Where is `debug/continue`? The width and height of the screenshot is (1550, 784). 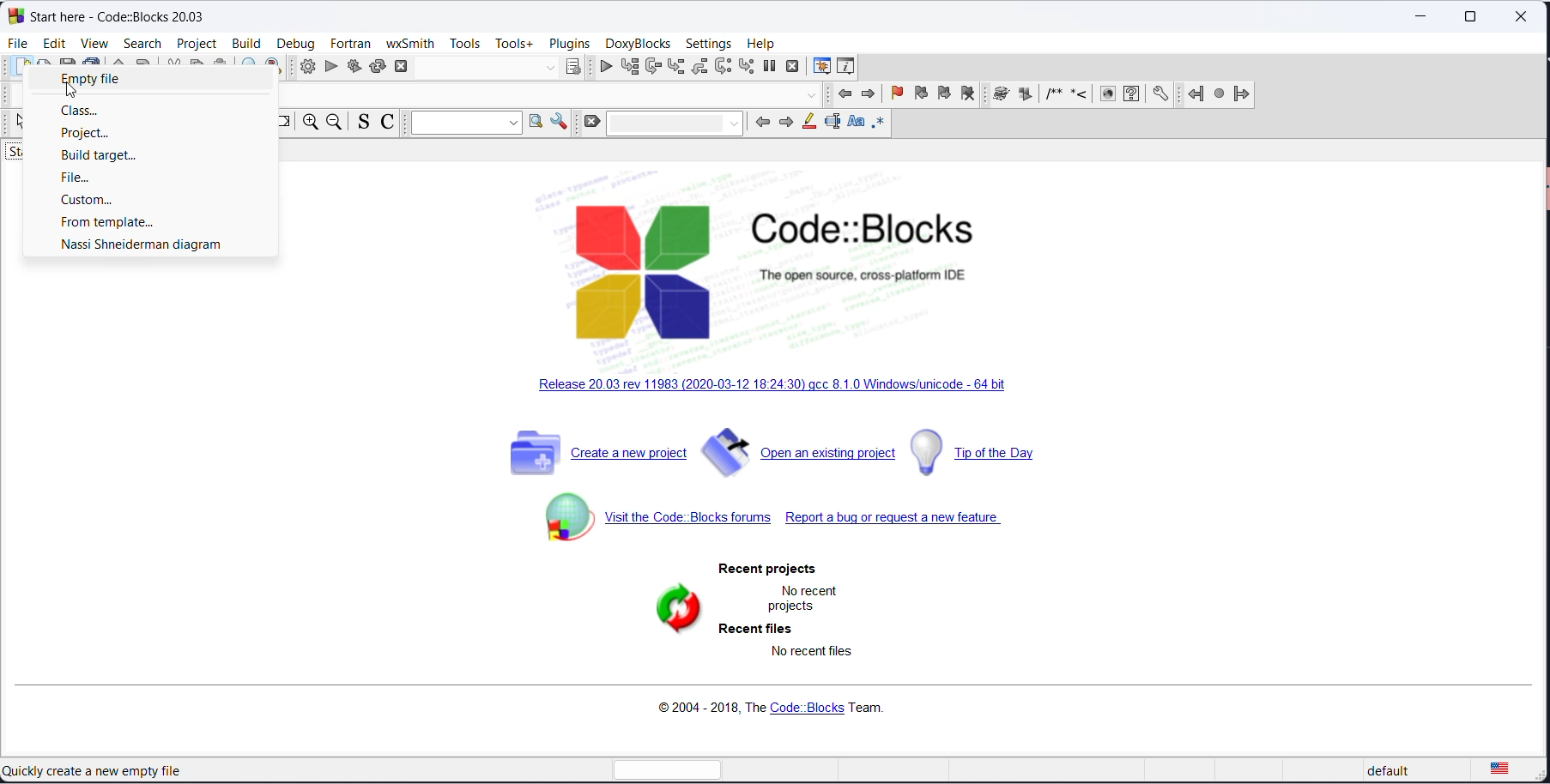 debug/continue is located at coordinates (605, 69).